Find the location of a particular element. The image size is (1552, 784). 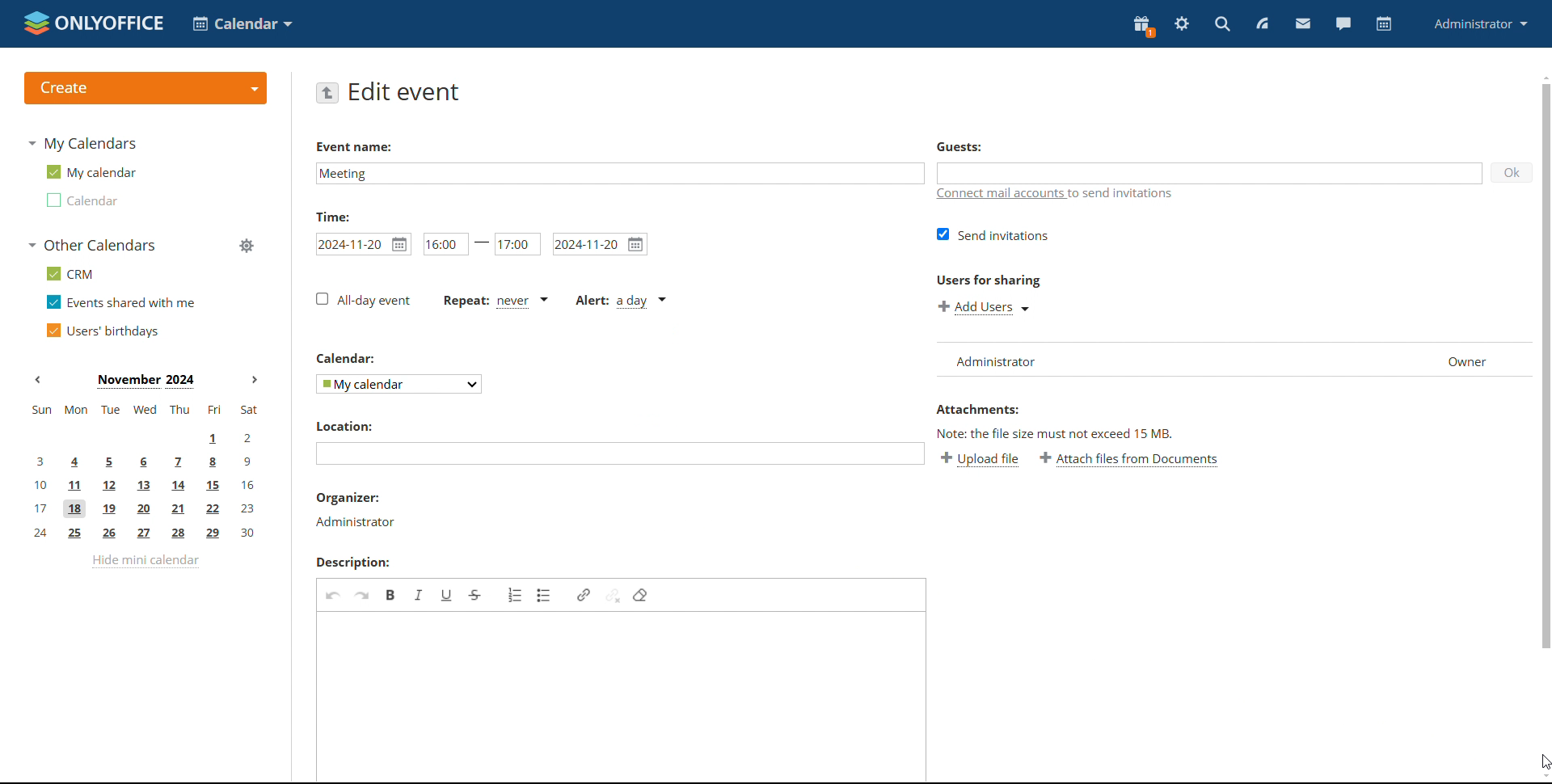

add users is located at coordinates (984, 308).